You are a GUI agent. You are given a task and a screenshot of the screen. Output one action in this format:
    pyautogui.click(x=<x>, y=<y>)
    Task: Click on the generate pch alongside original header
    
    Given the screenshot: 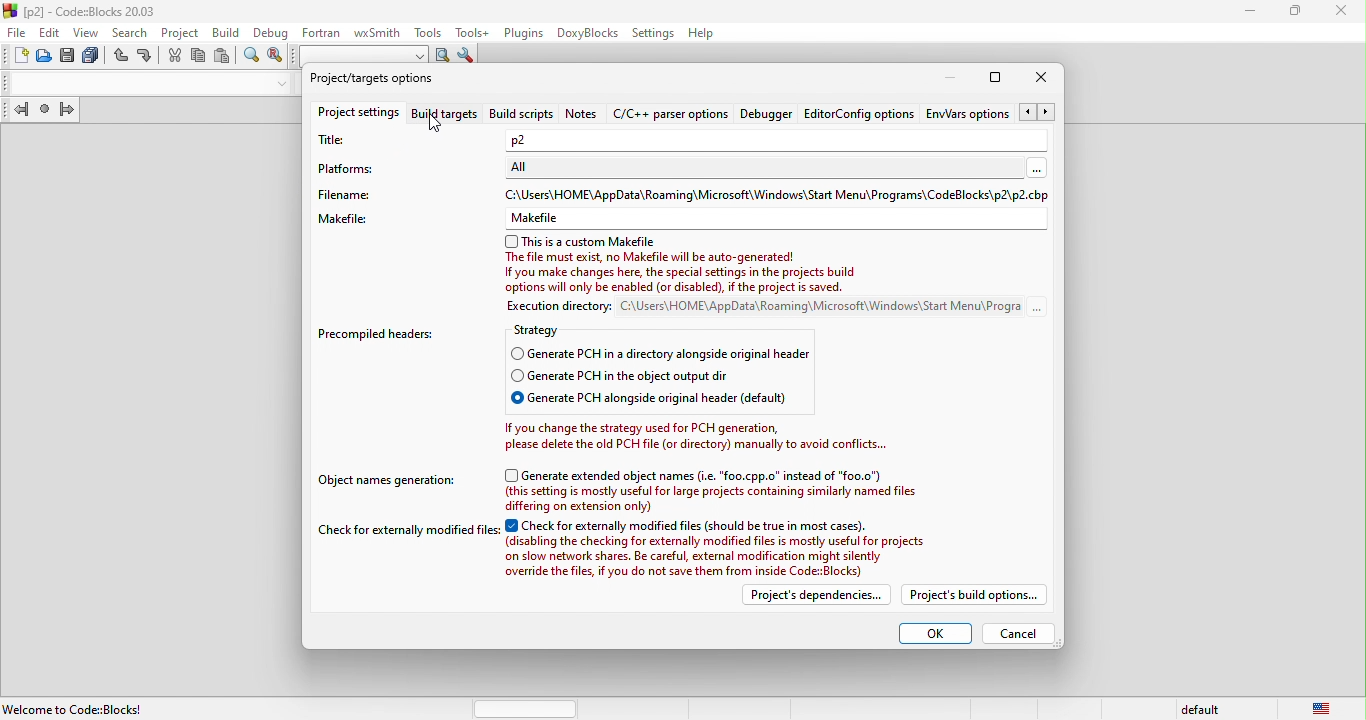 What is the action you would take?
    pyautogui.click(x=651, y=401)
    